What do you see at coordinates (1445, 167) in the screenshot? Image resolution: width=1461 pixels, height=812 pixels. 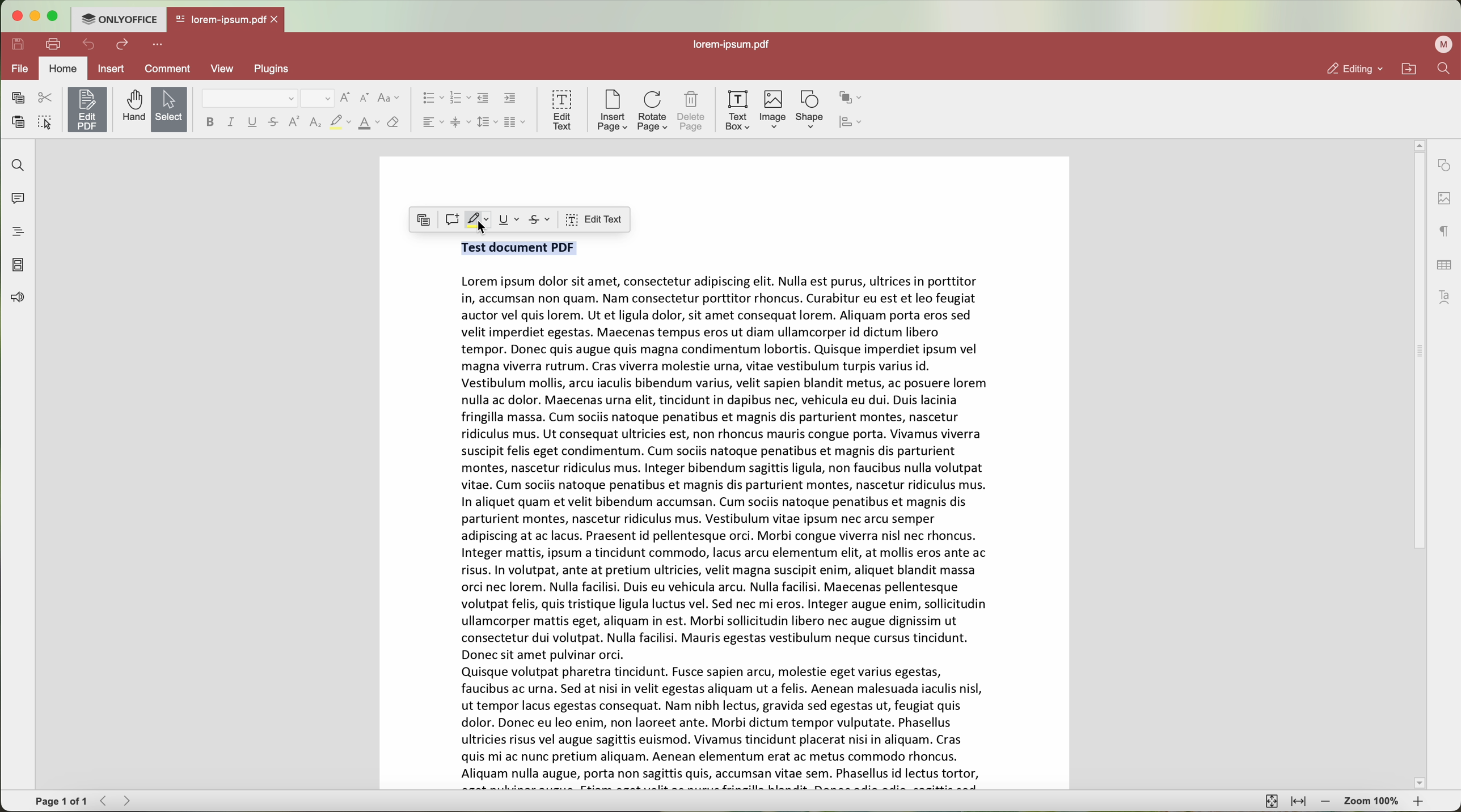 I see `shape settings` at bounding box center [1445, 167].